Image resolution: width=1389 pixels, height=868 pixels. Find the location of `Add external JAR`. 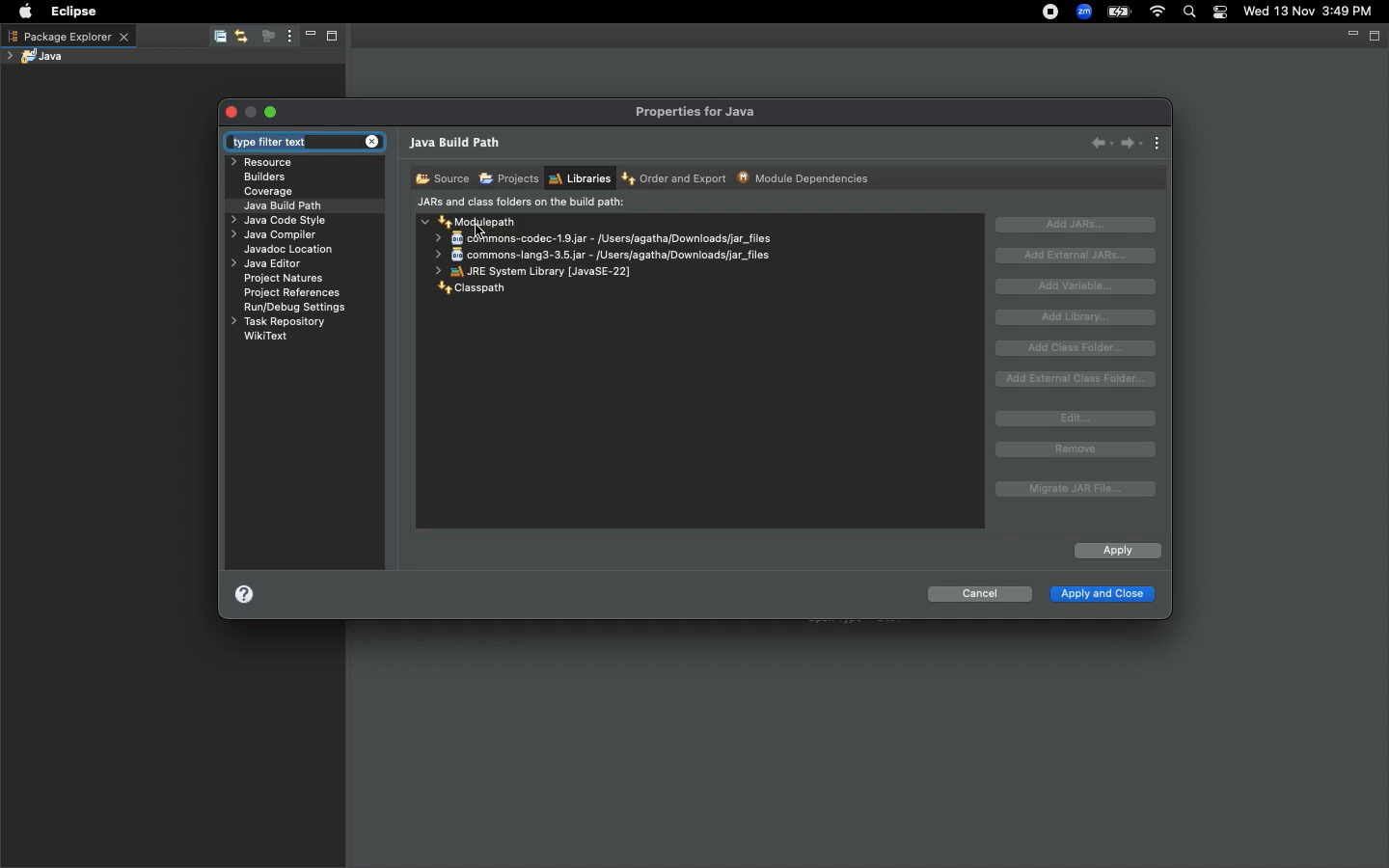

Add external JAR is located at coordinates (1076, 255).